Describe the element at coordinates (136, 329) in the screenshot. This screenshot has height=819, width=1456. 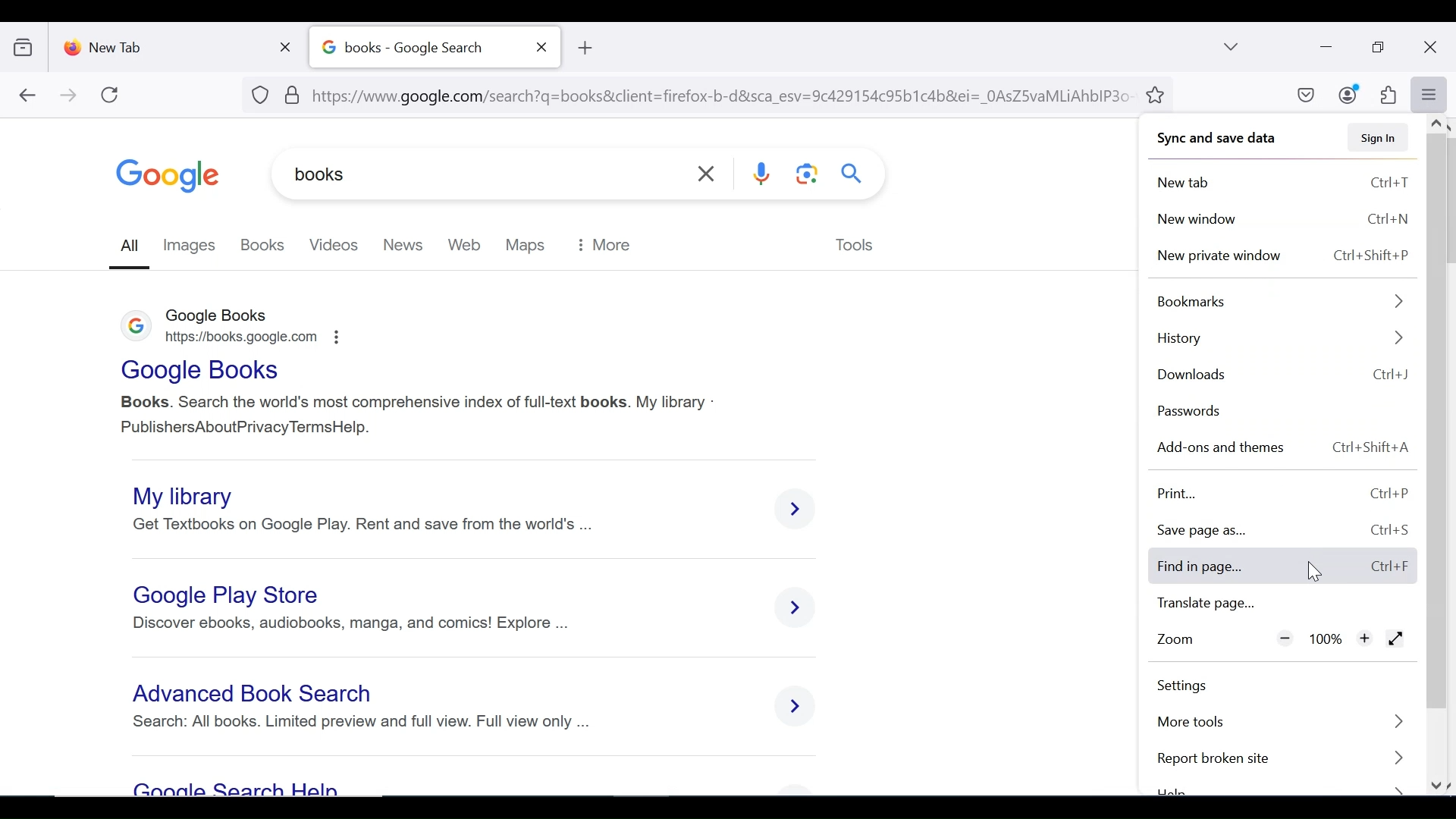
I see `logo` at that location.